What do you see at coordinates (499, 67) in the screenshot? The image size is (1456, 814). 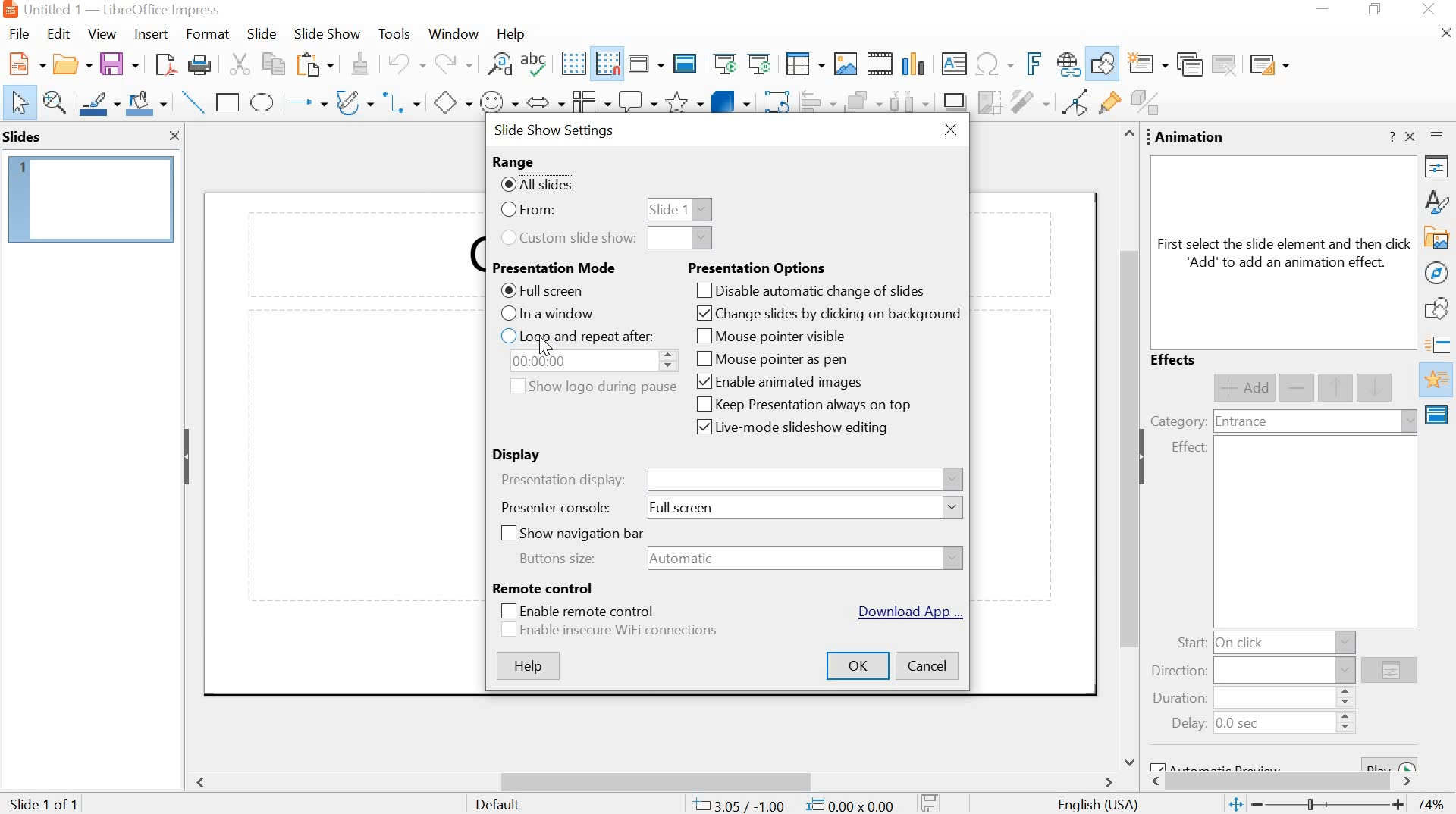 I see `find` at bounding box center [499, 67].